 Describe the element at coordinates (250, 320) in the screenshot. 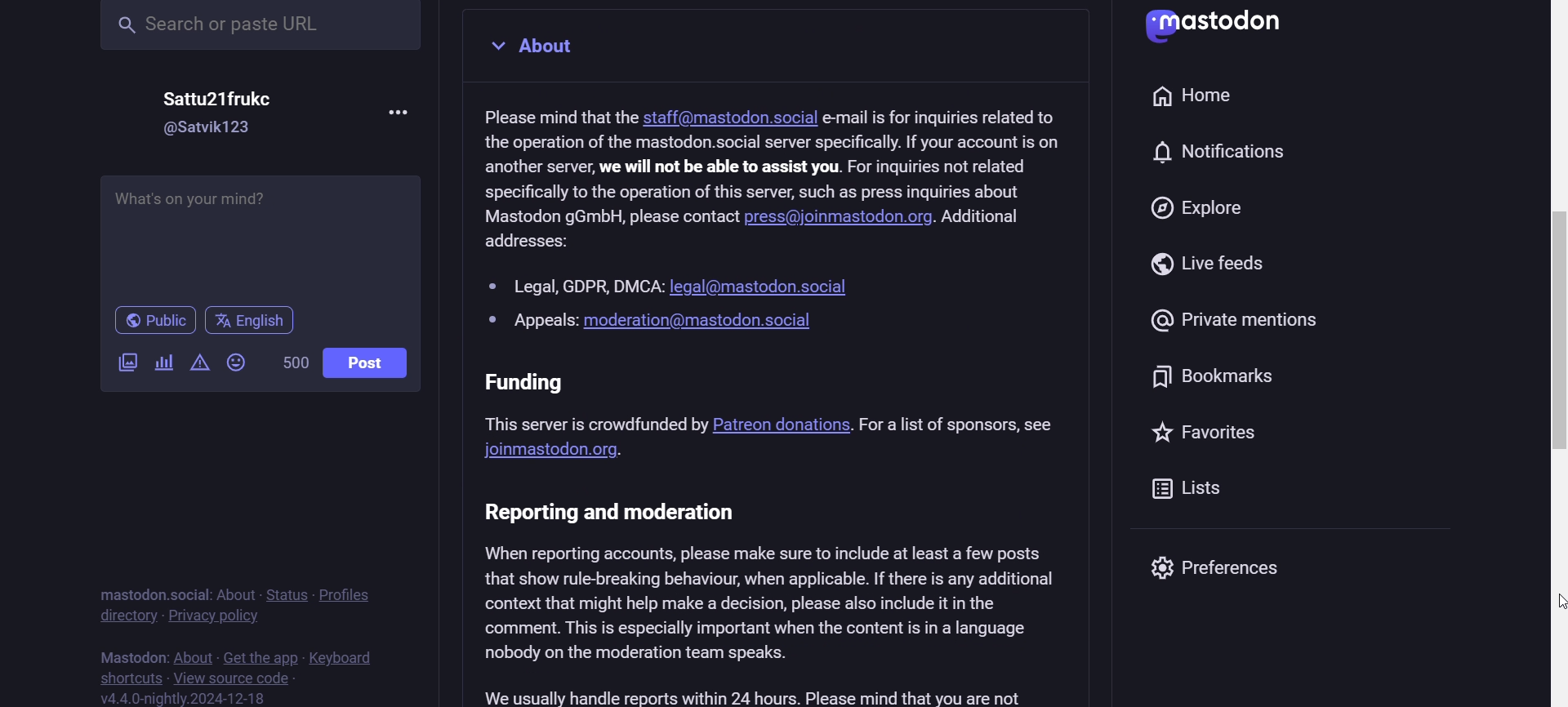

I see `english` at that location.